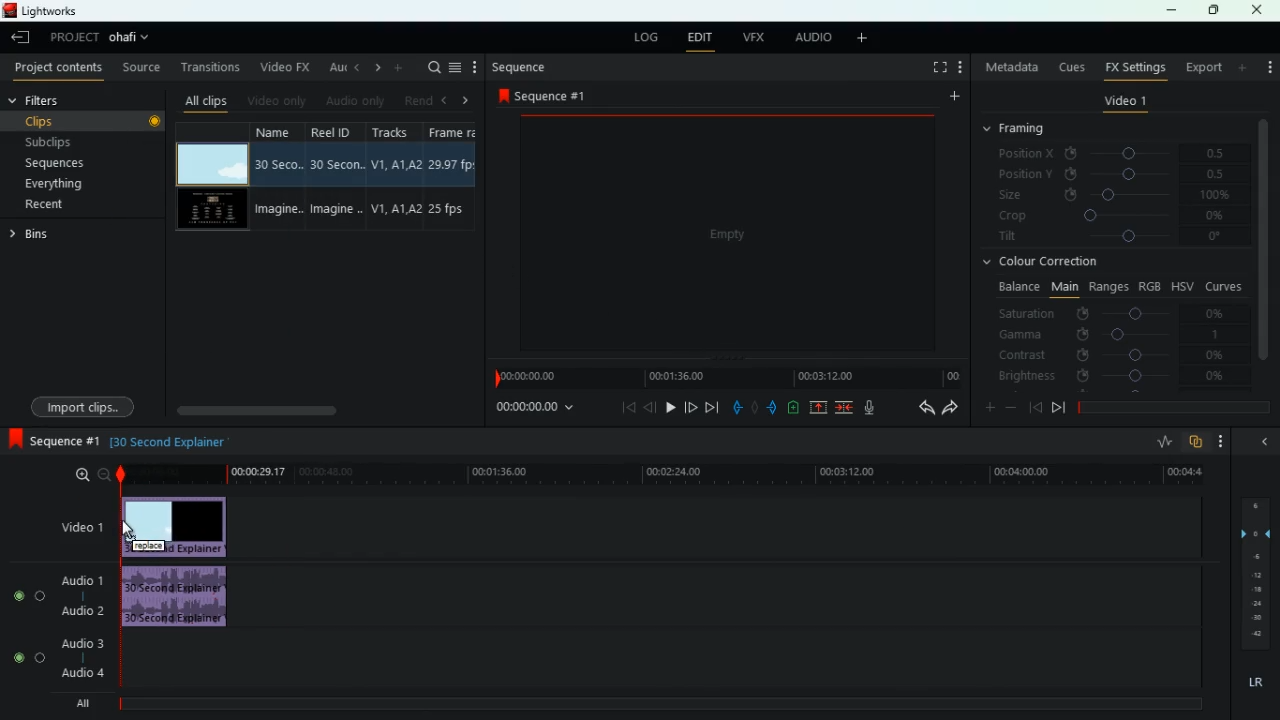 Image resolution: width=1280 pixels, height=720 pixels. I want to click on size, so click(1115, 194).